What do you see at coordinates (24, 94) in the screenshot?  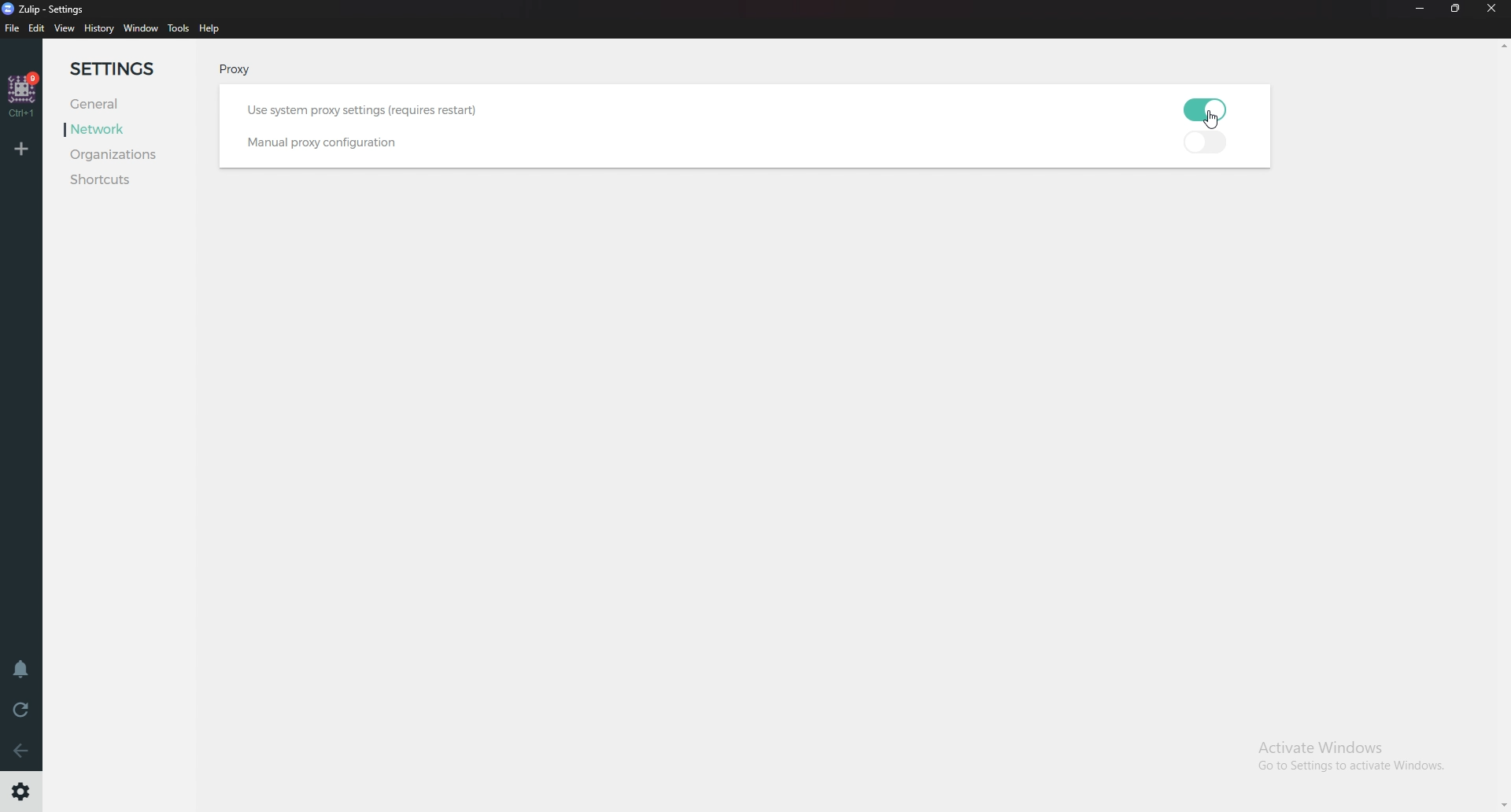 I see `home` at bounding box center [24, 94].